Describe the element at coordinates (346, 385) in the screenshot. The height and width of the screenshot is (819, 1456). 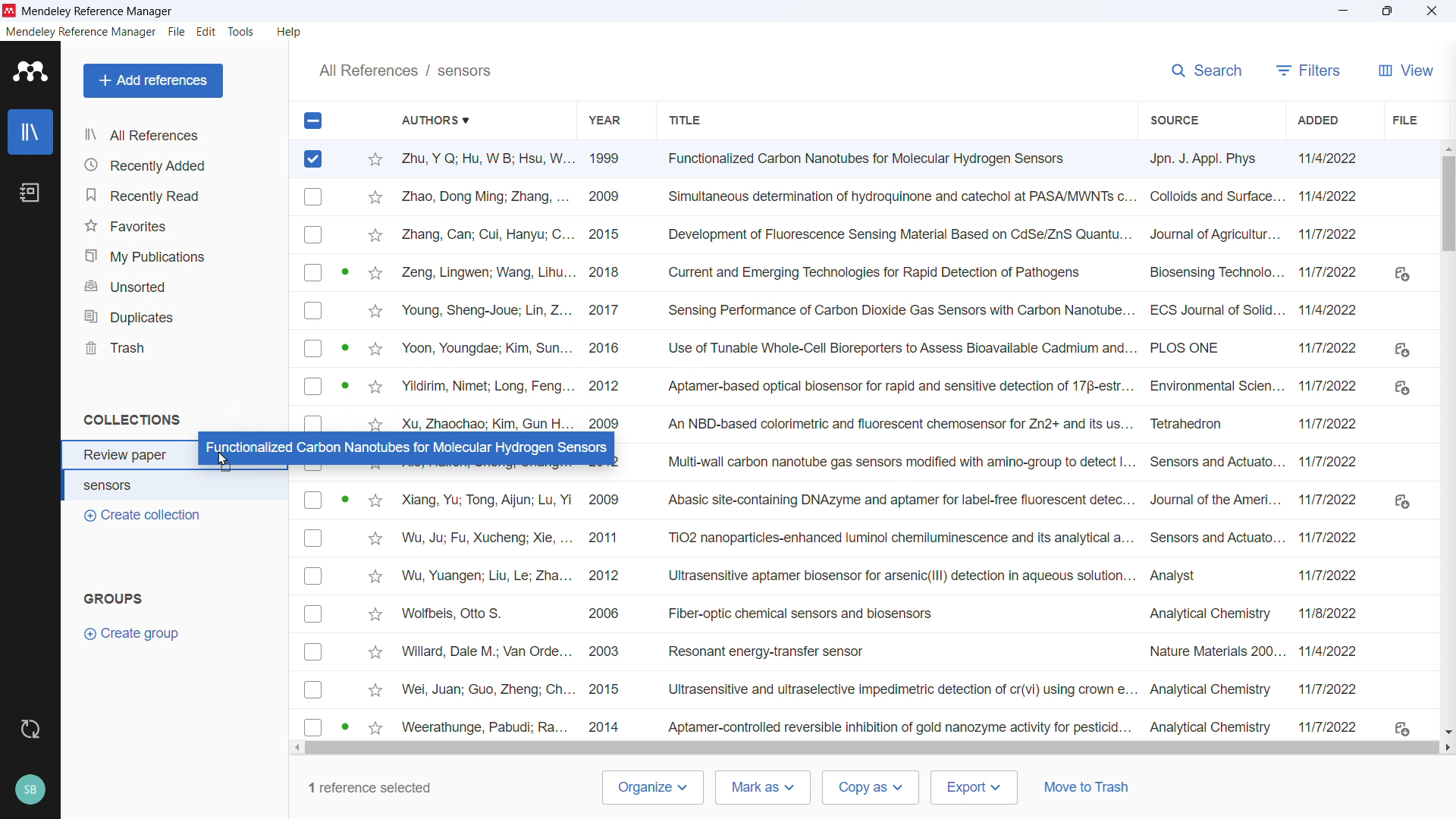
I see `PDF available` at that location.